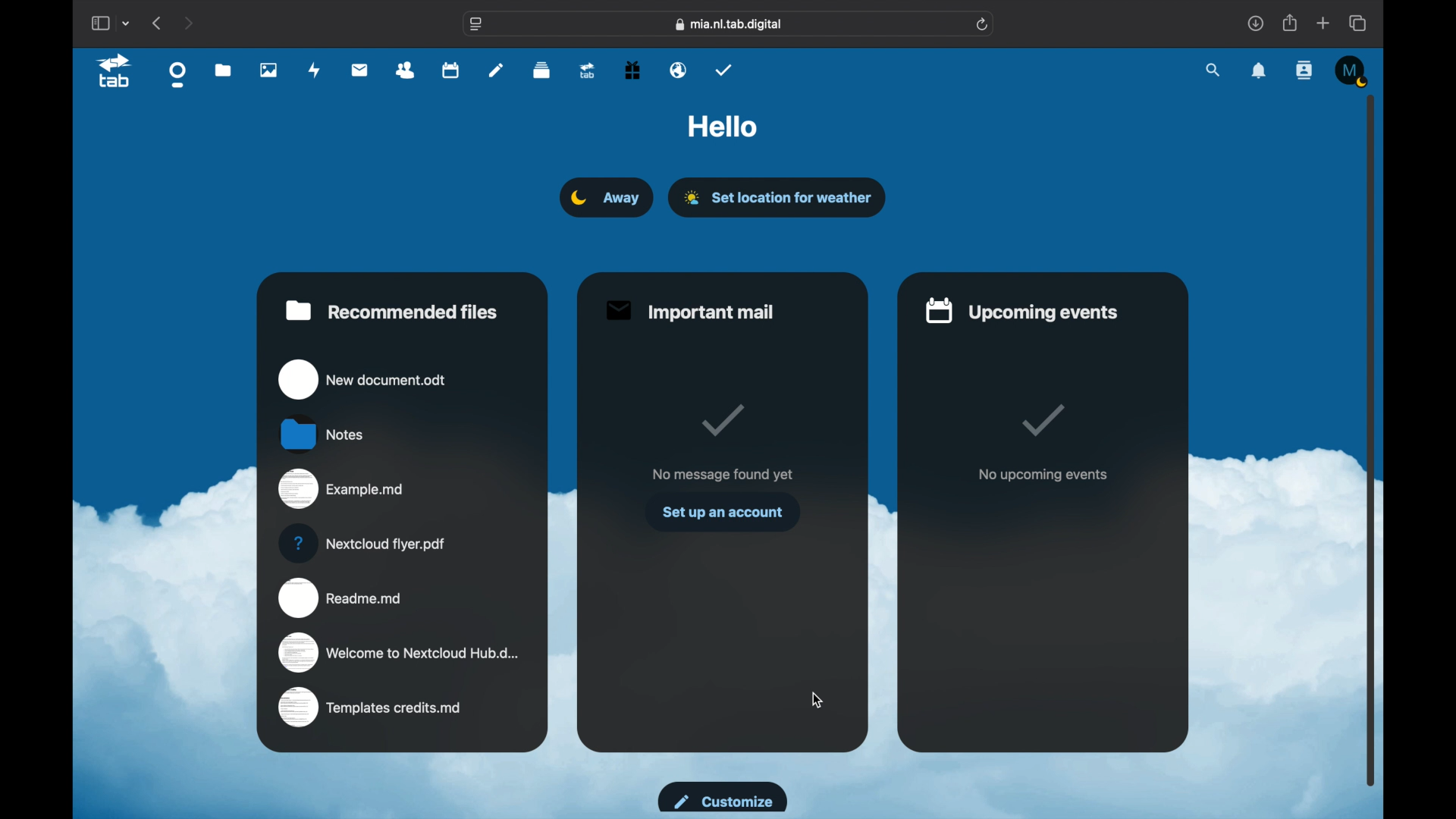 The image size is (1456, 819). Describe the element at coordinates (400, 652) in the screenshot. I see `welcome` at that location.